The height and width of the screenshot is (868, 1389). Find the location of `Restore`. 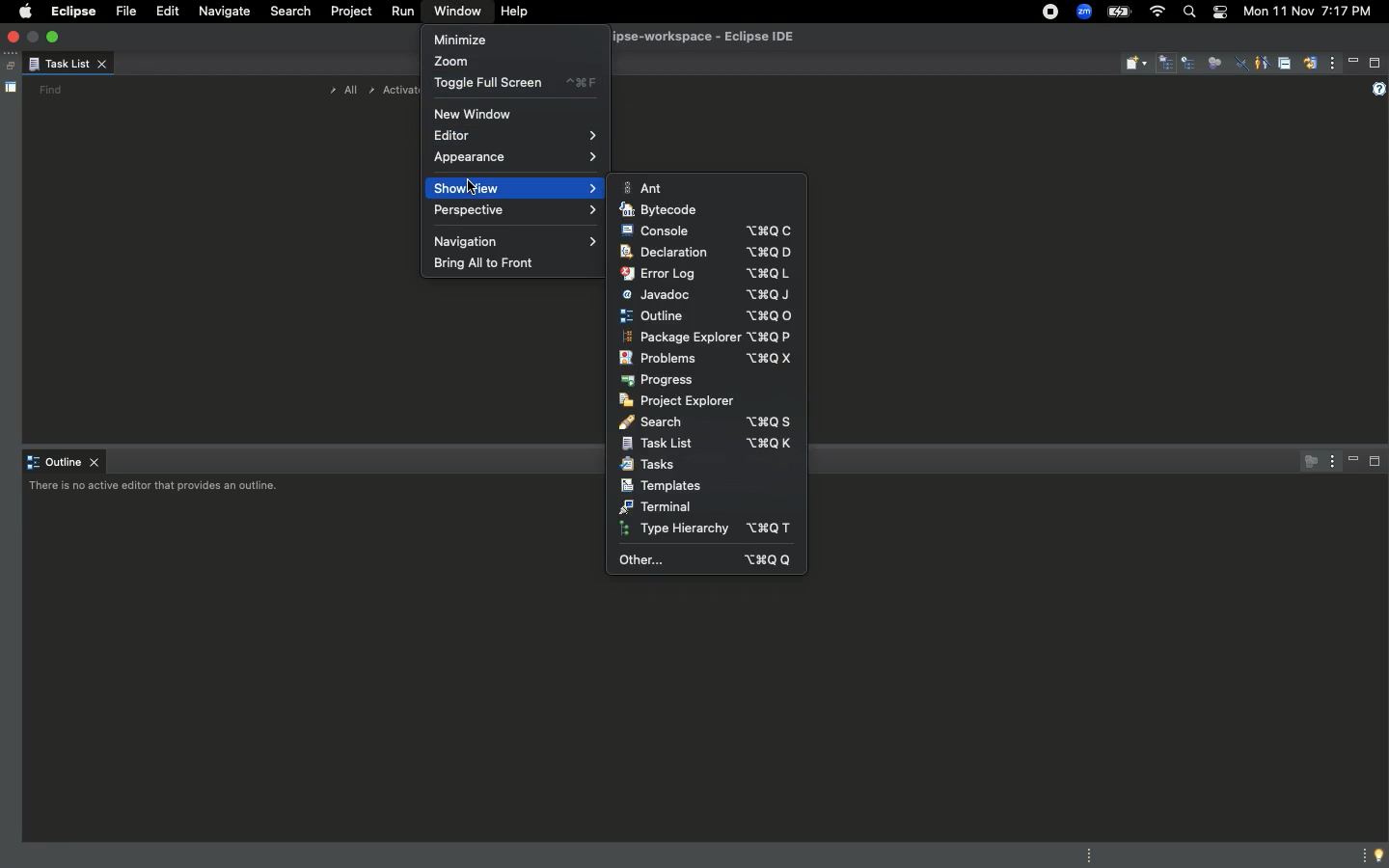

Restore is located at coordinates (8, 67).